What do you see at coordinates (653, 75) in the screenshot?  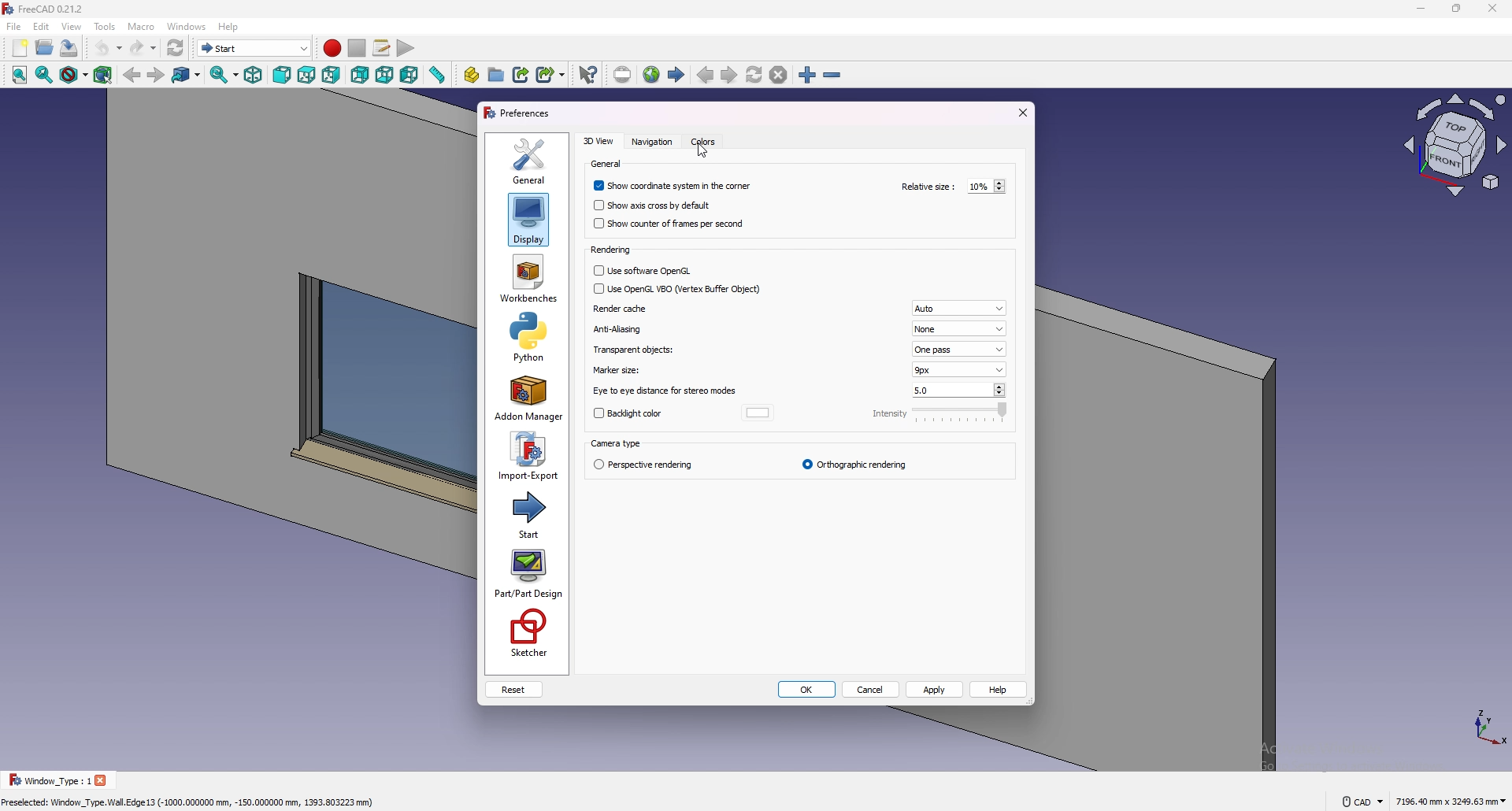 I see `open website` at bounding box center [653, 75].